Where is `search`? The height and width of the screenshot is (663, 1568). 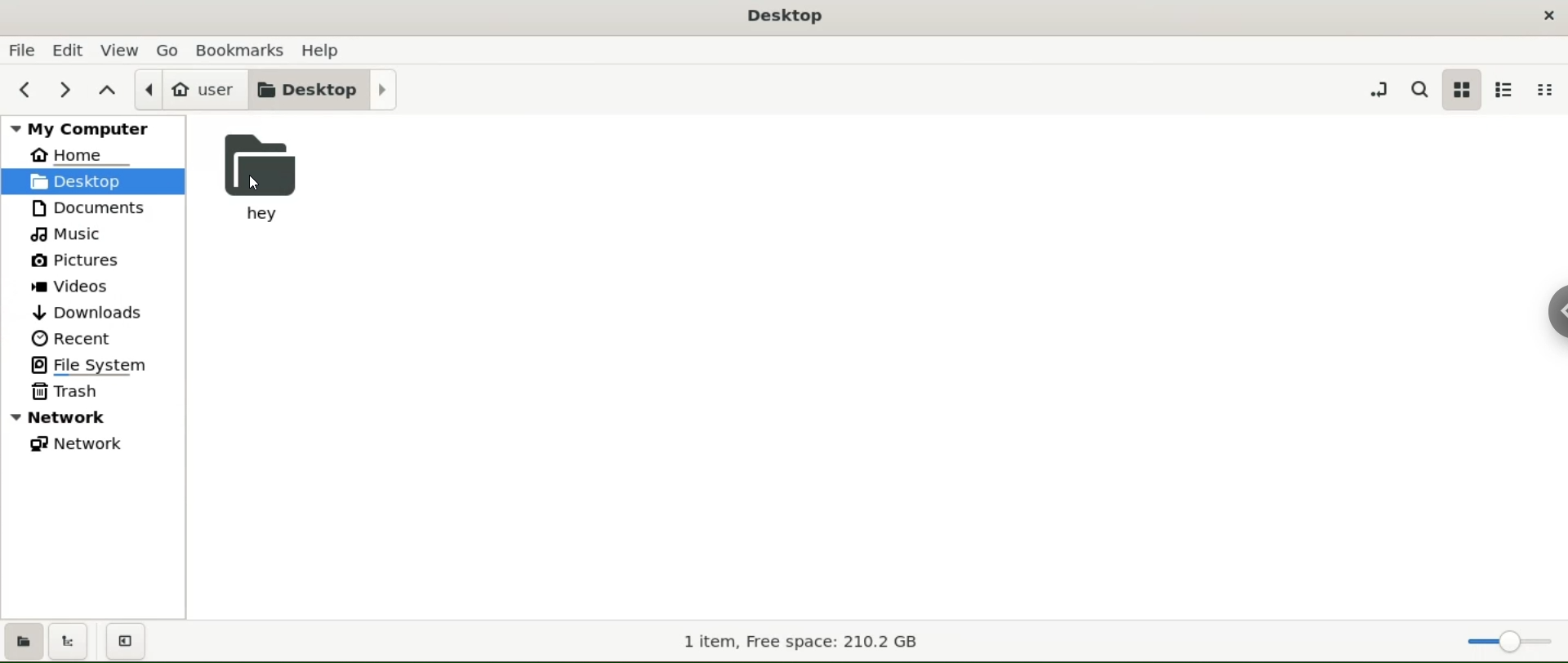
search is located at coordinates (1419, 90).